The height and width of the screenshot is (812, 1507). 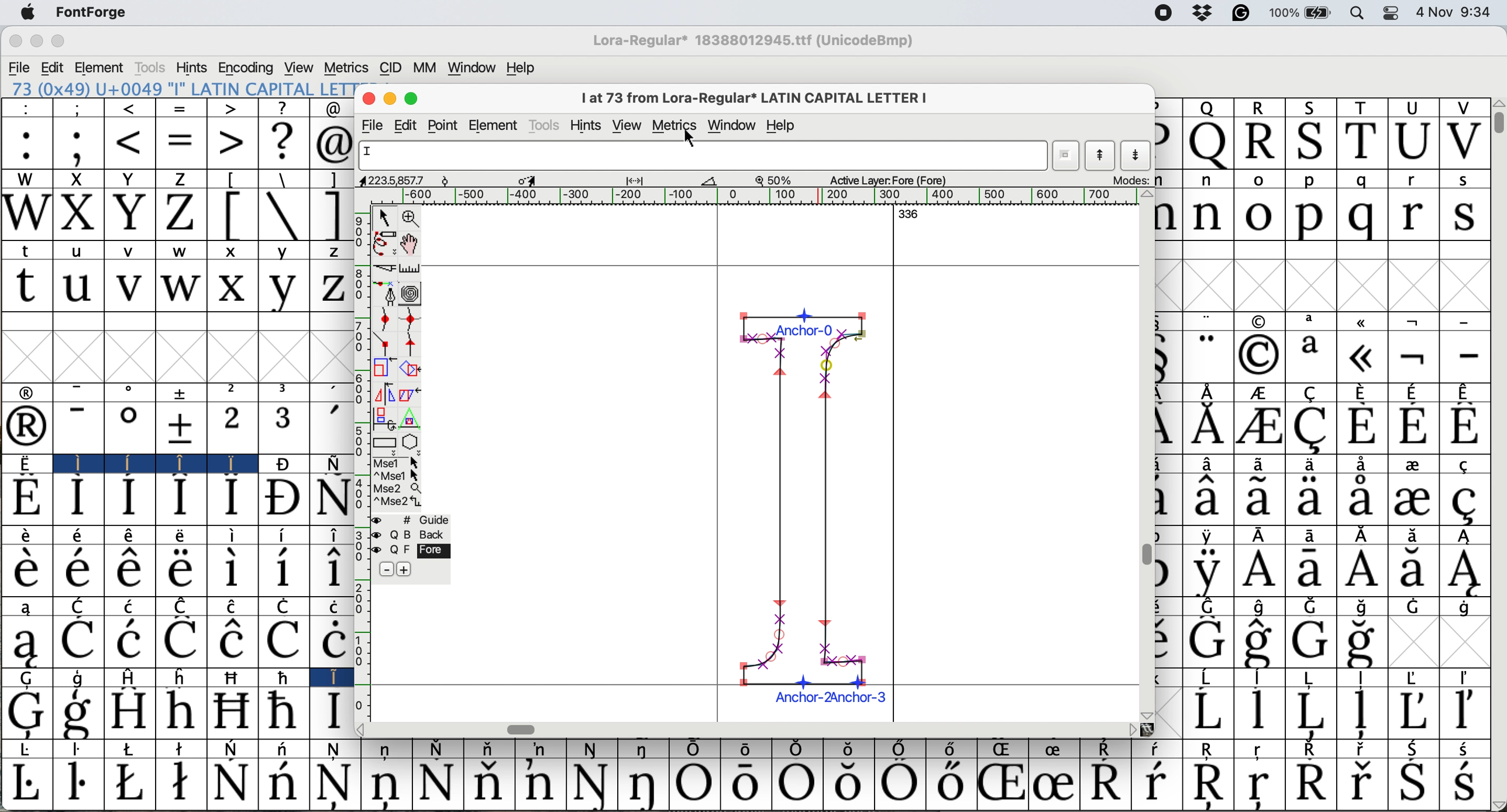 What do you see at coordinates (284, 215) in the screenshot?
I see `\` at bounding box center [284, 215].